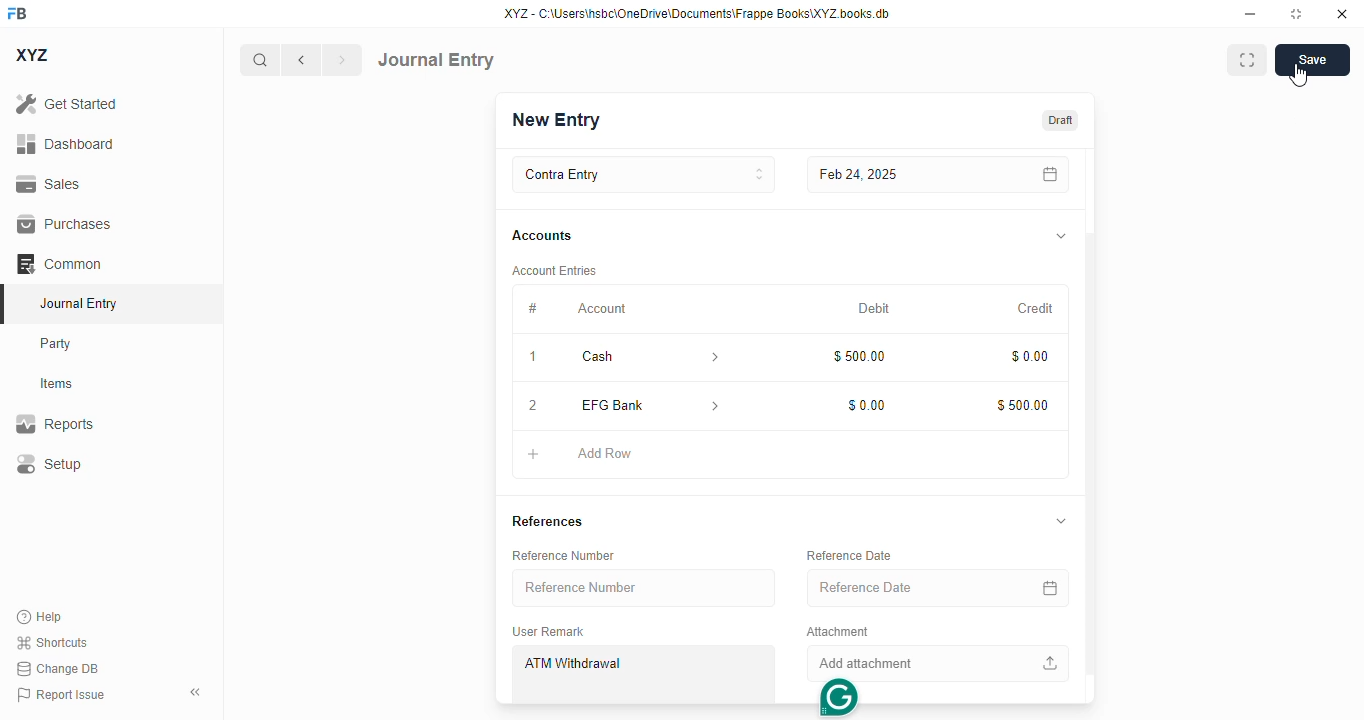  I want to click on draft, so click(1061, 119).